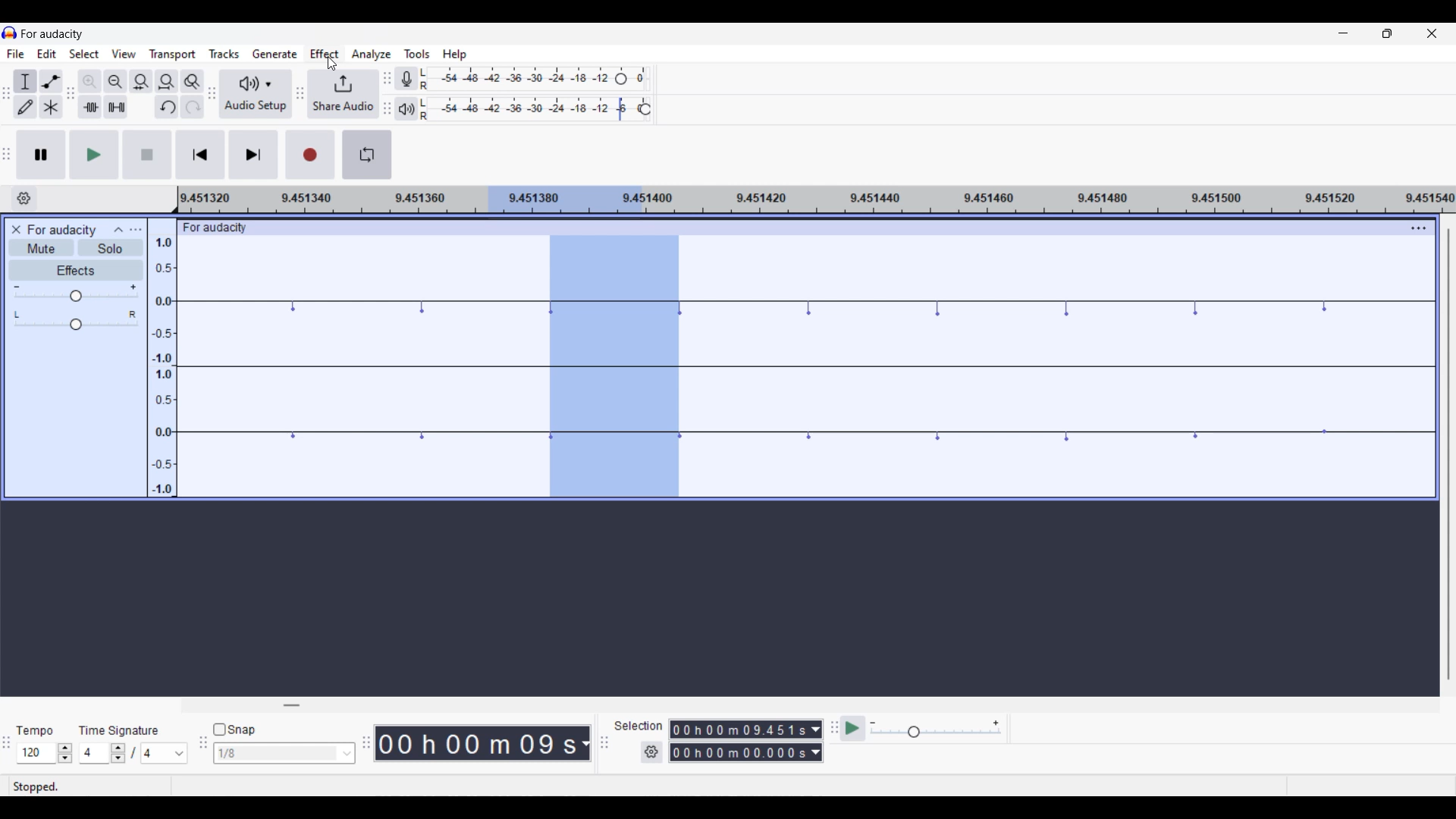  I want to click on Multi-tool, so click(52, 107).